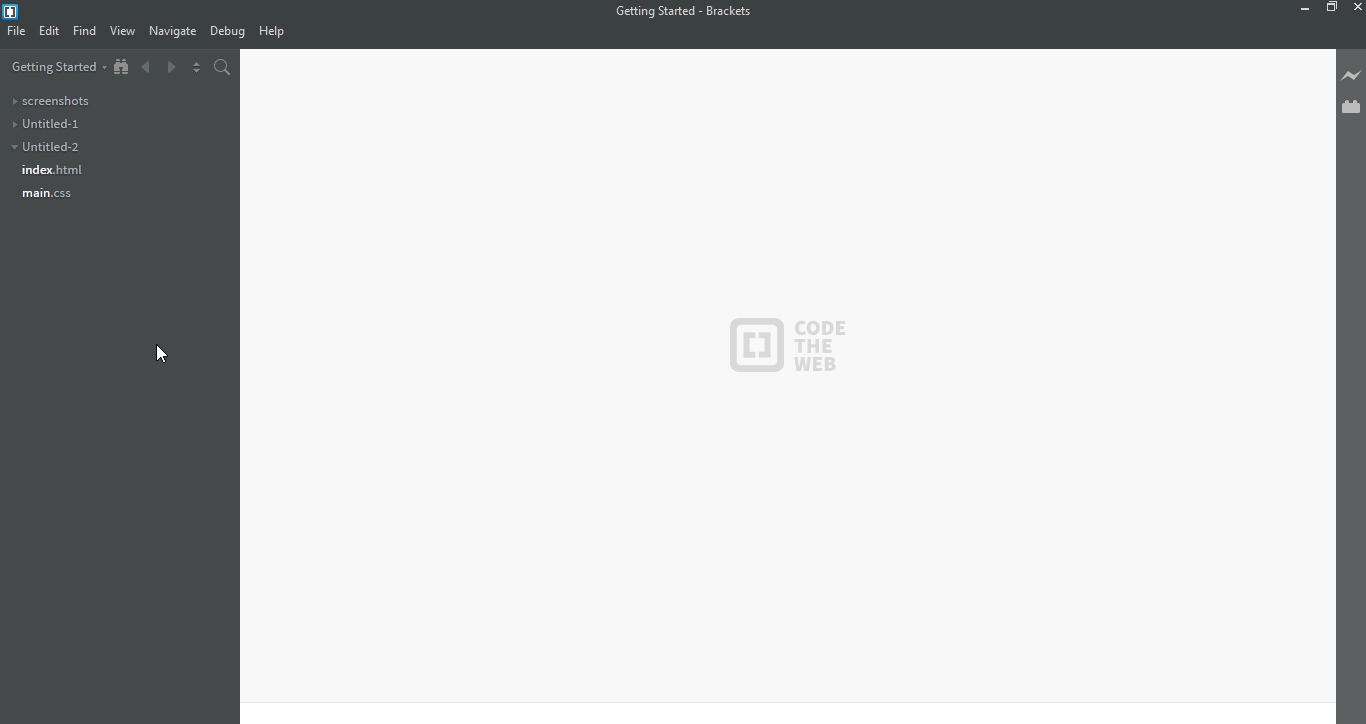 This screenshot has width=1366, height=724. Describe the element at coordinates (55, 100) in the screenshot. I see `screenshots` at that location.